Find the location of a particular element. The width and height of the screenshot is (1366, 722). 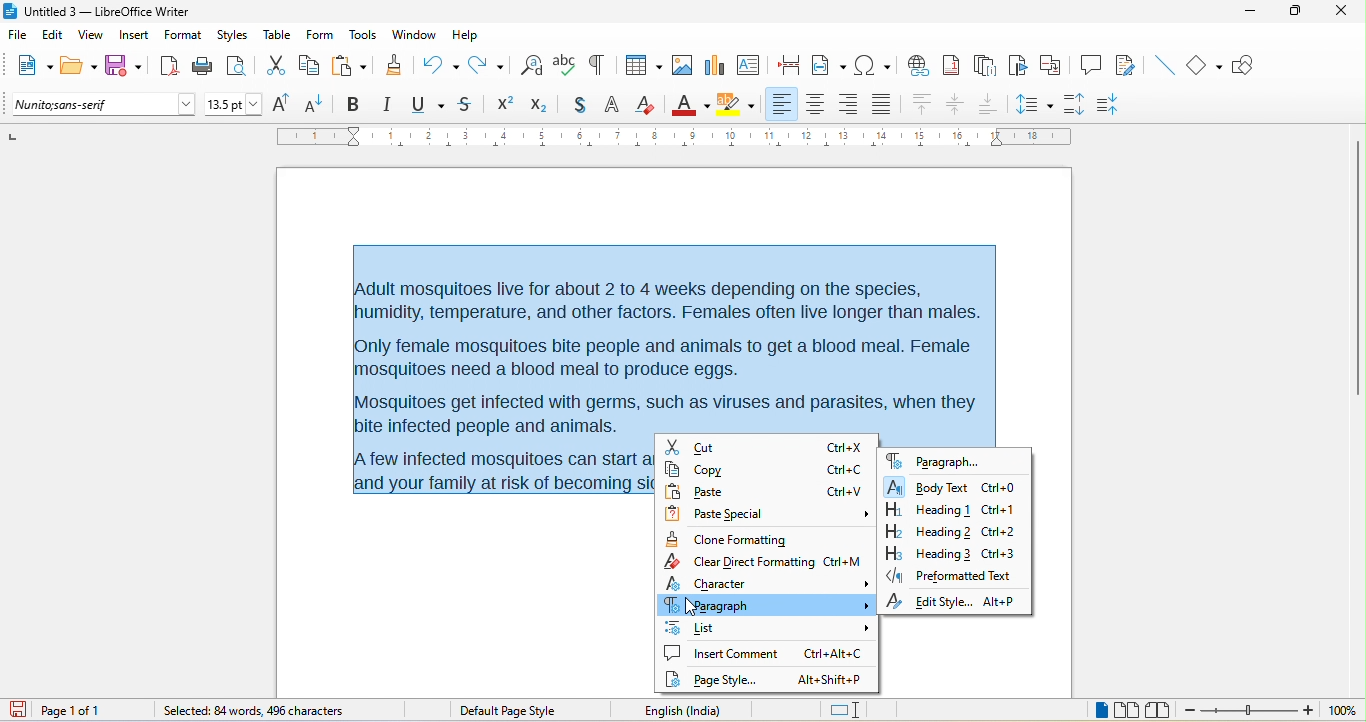

increase paragraph spacing is located at coordinates (1073, 102).